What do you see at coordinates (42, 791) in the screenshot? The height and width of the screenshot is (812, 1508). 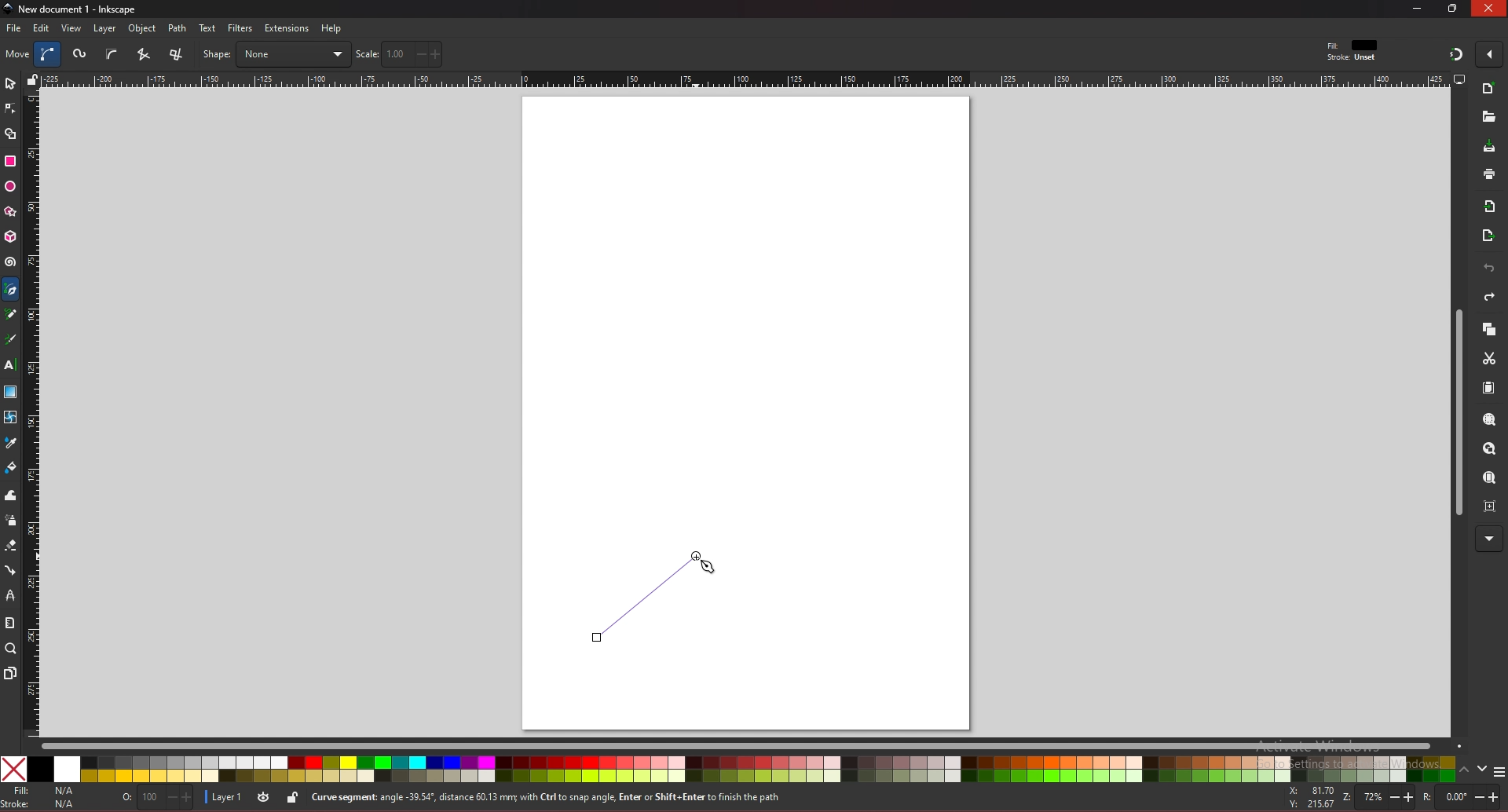 I see `fill` at bounding box center [42, 791].